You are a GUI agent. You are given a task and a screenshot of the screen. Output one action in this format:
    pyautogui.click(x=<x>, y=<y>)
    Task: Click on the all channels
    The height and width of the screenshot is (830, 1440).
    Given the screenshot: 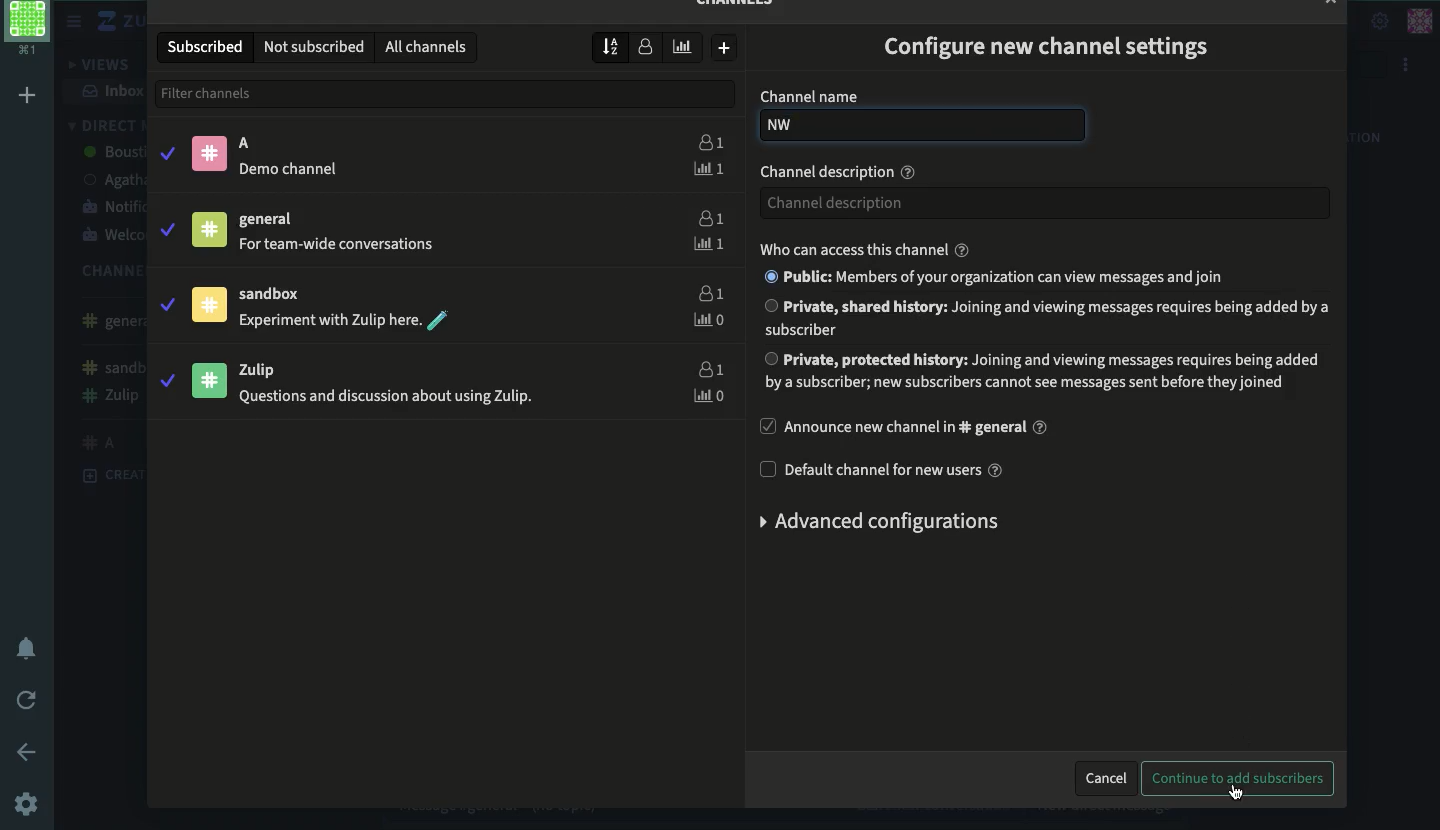 What is the action you would take?
    pyautogui.click(x=430, y=46)
    